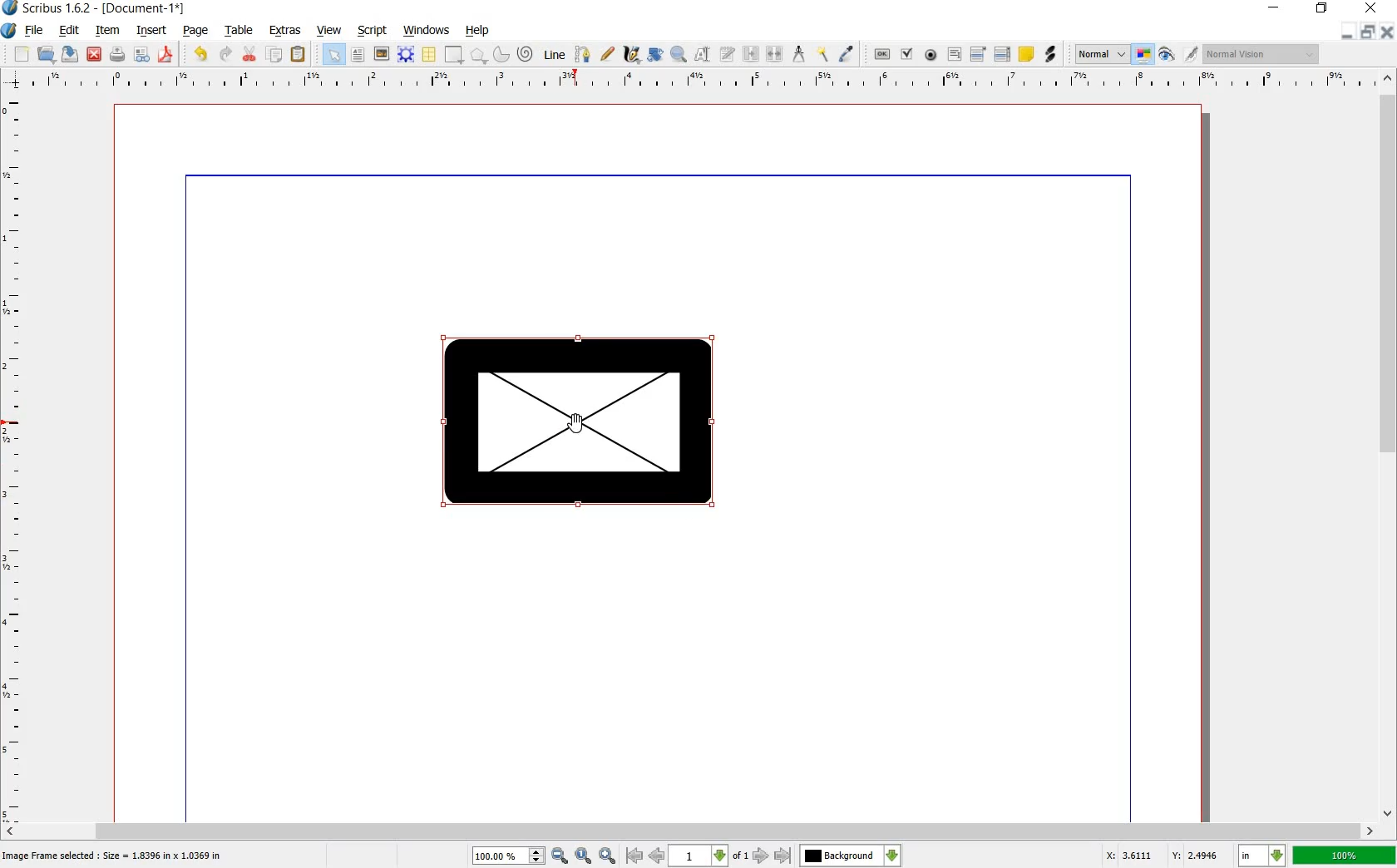  Describe the element at coordinates (403, 53) in the screenshot. I see `render frame` at that location.